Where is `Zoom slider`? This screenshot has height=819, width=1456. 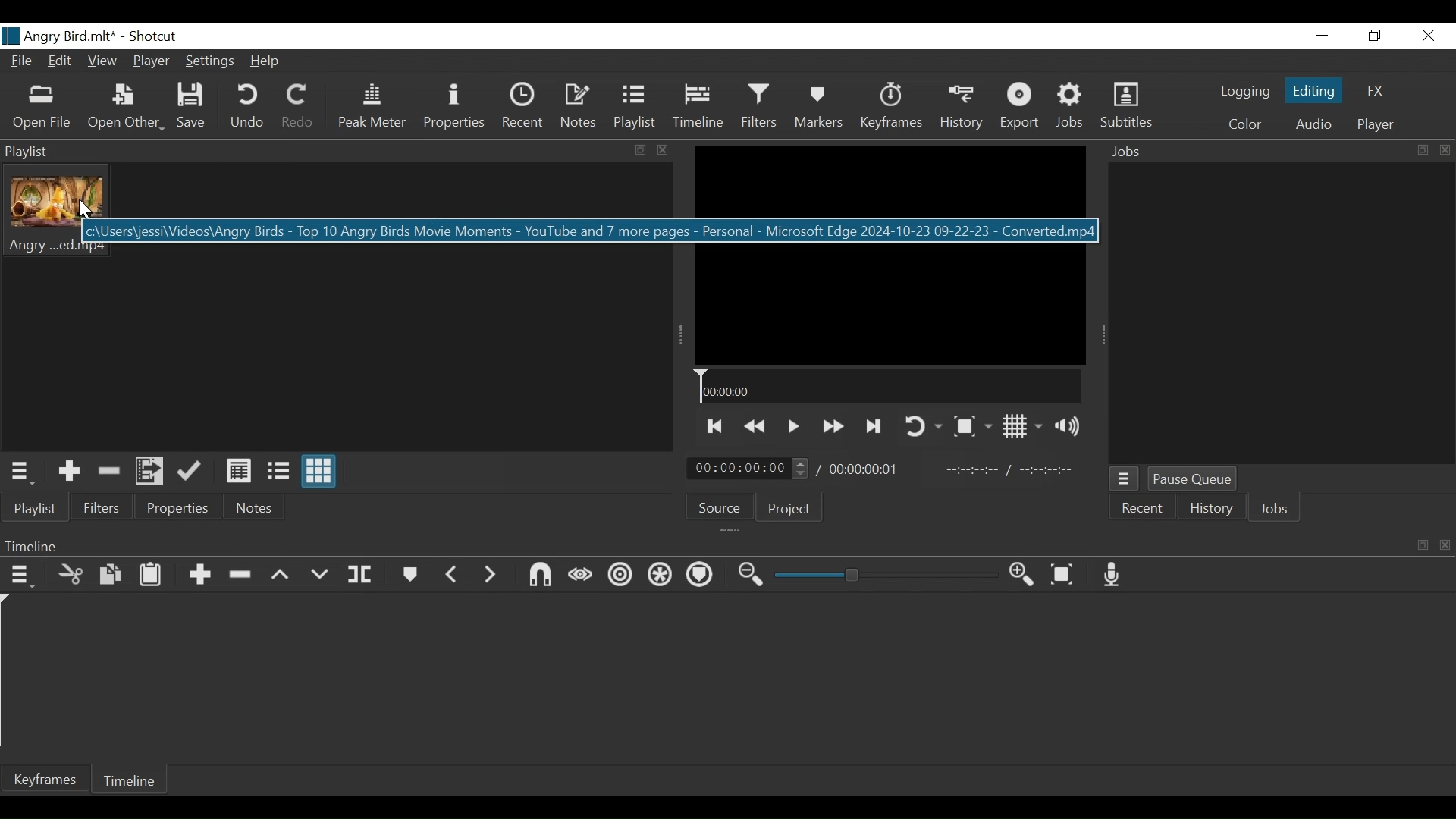
Zoom slider is located at coordinates (886, 575).